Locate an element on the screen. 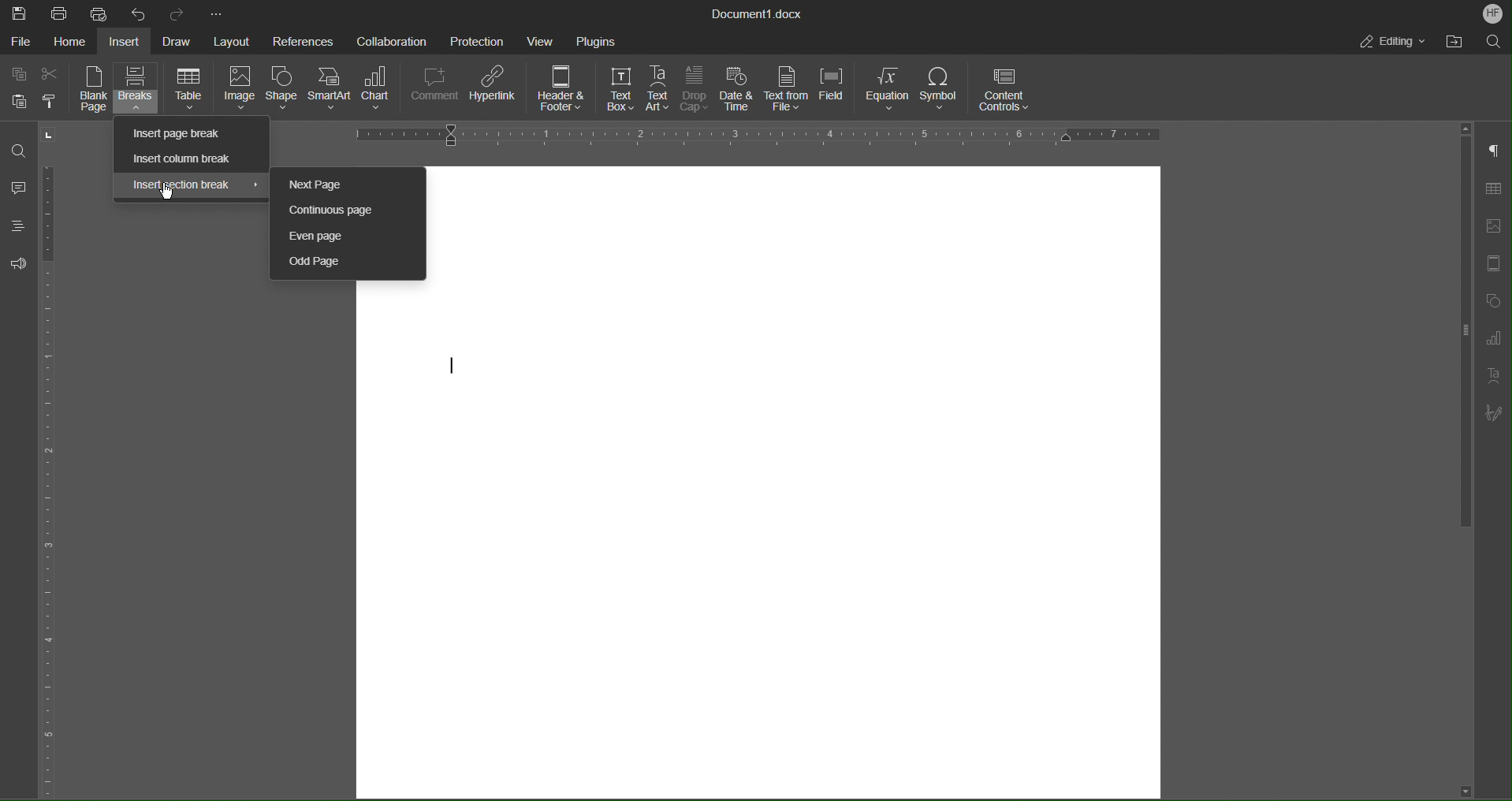 The width and height of the screenshot is (1512, 801). Text Art is located at coordinates (658, 90).